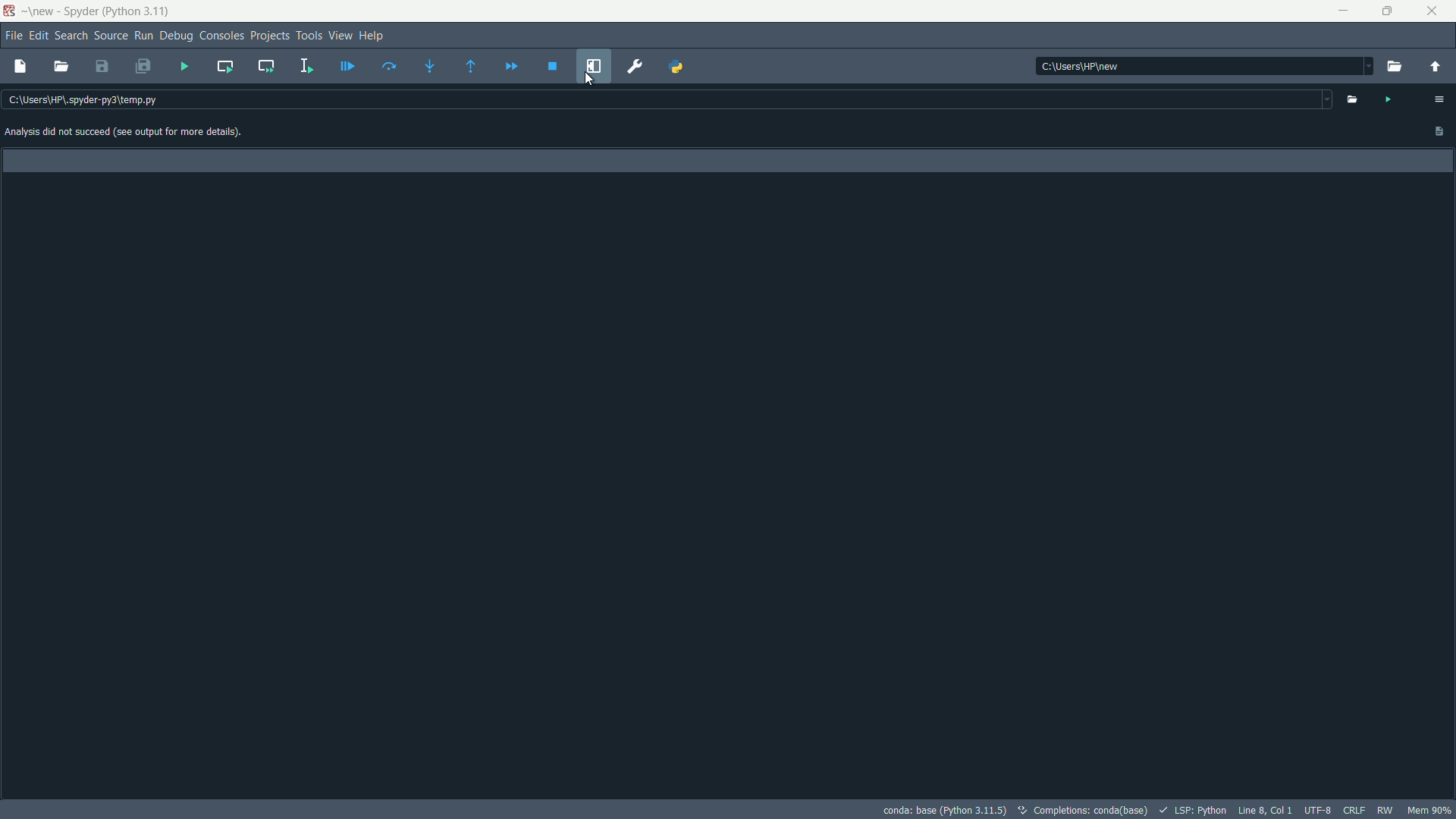  What do you see at coordinates (143, 36) in the screenshot?
I see `run menu` at bounding box center [143, 36].